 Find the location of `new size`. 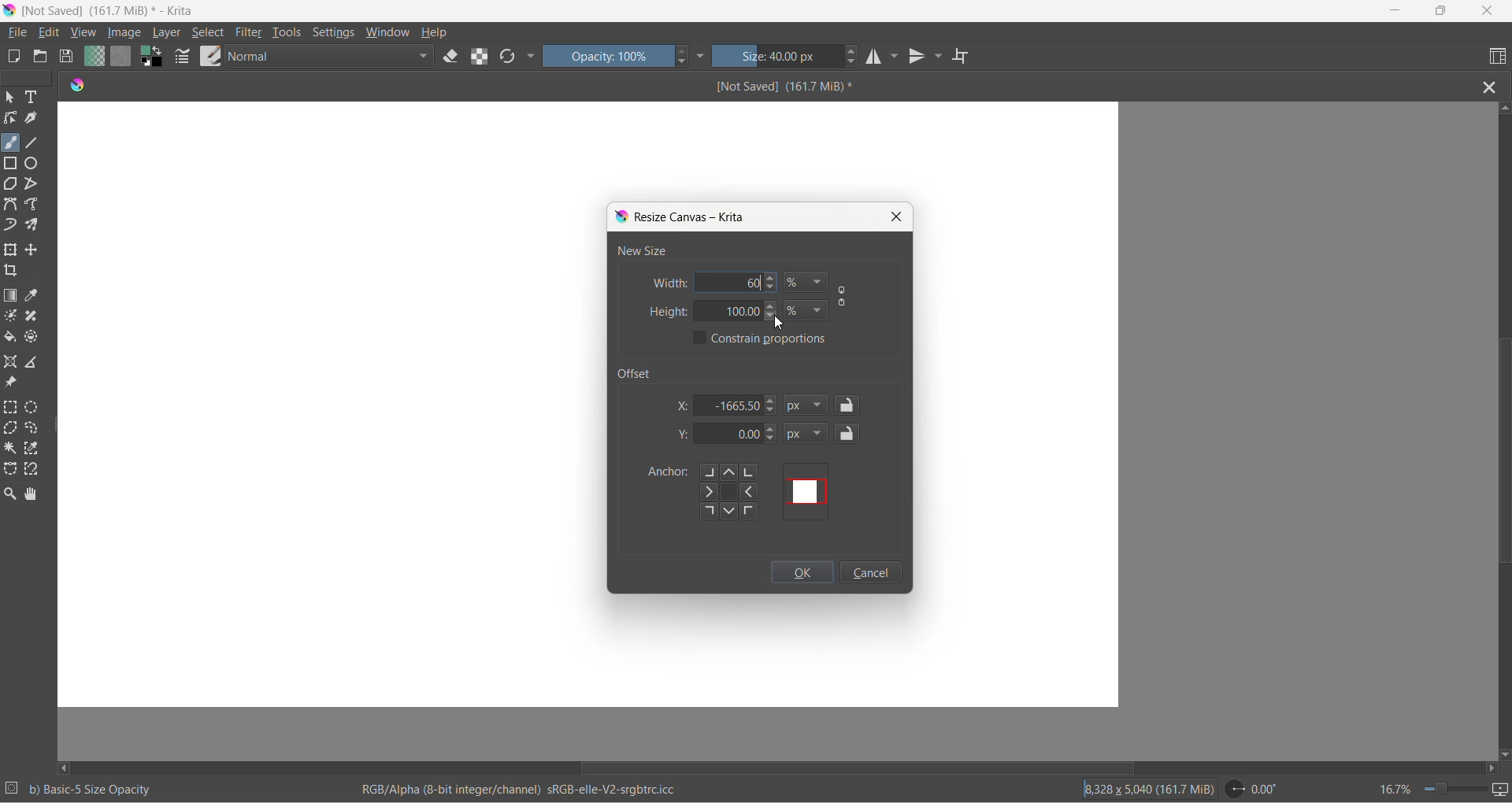

new size is located at coordinates (642, 250).